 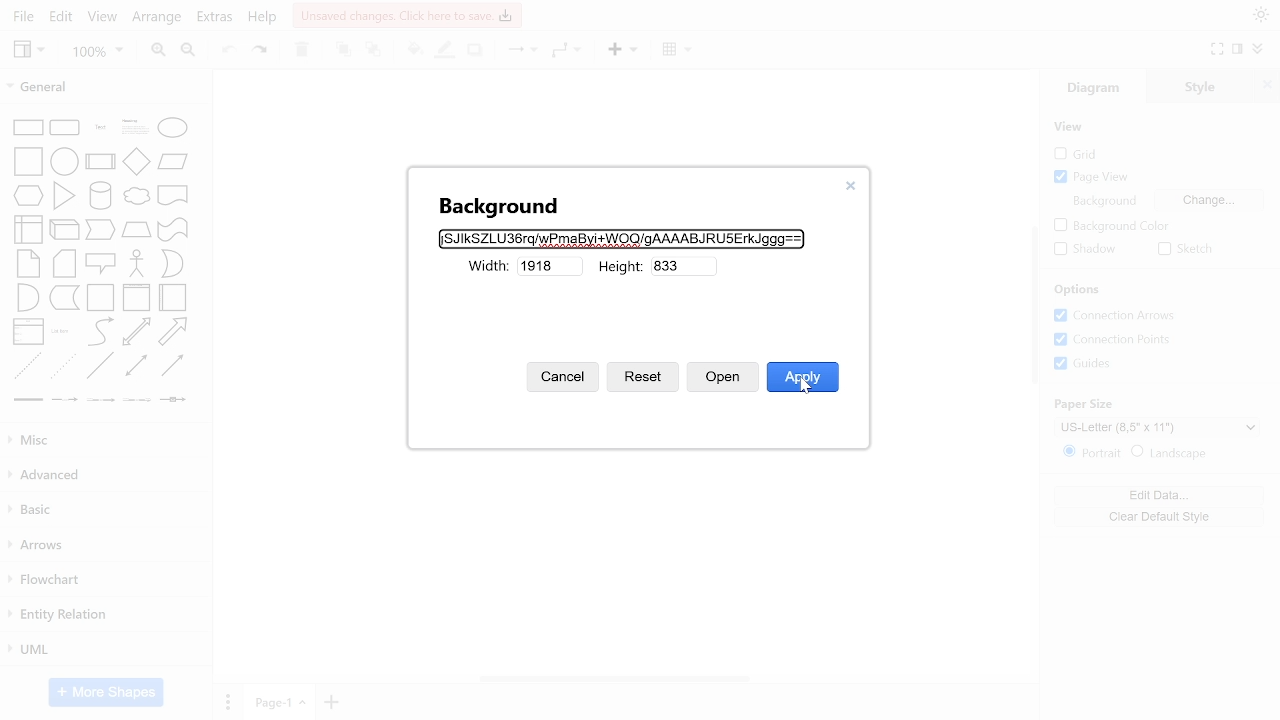 What do you see at coordinates (1093, 452) in the screenshot?
I see `potrait` at bounding box center [1093, 452].